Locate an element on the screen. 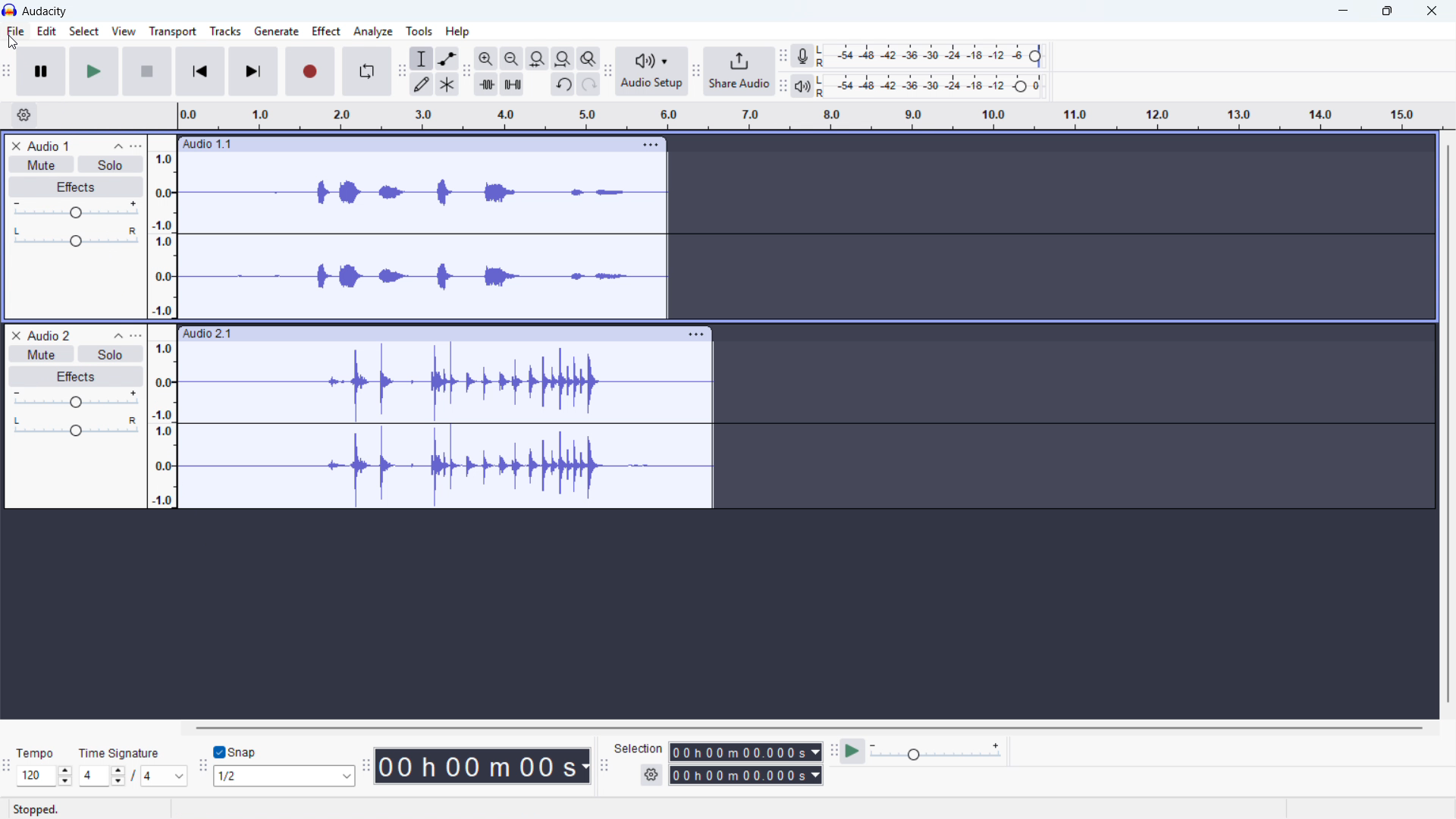  cursor  is located at coordinates (14, 42).